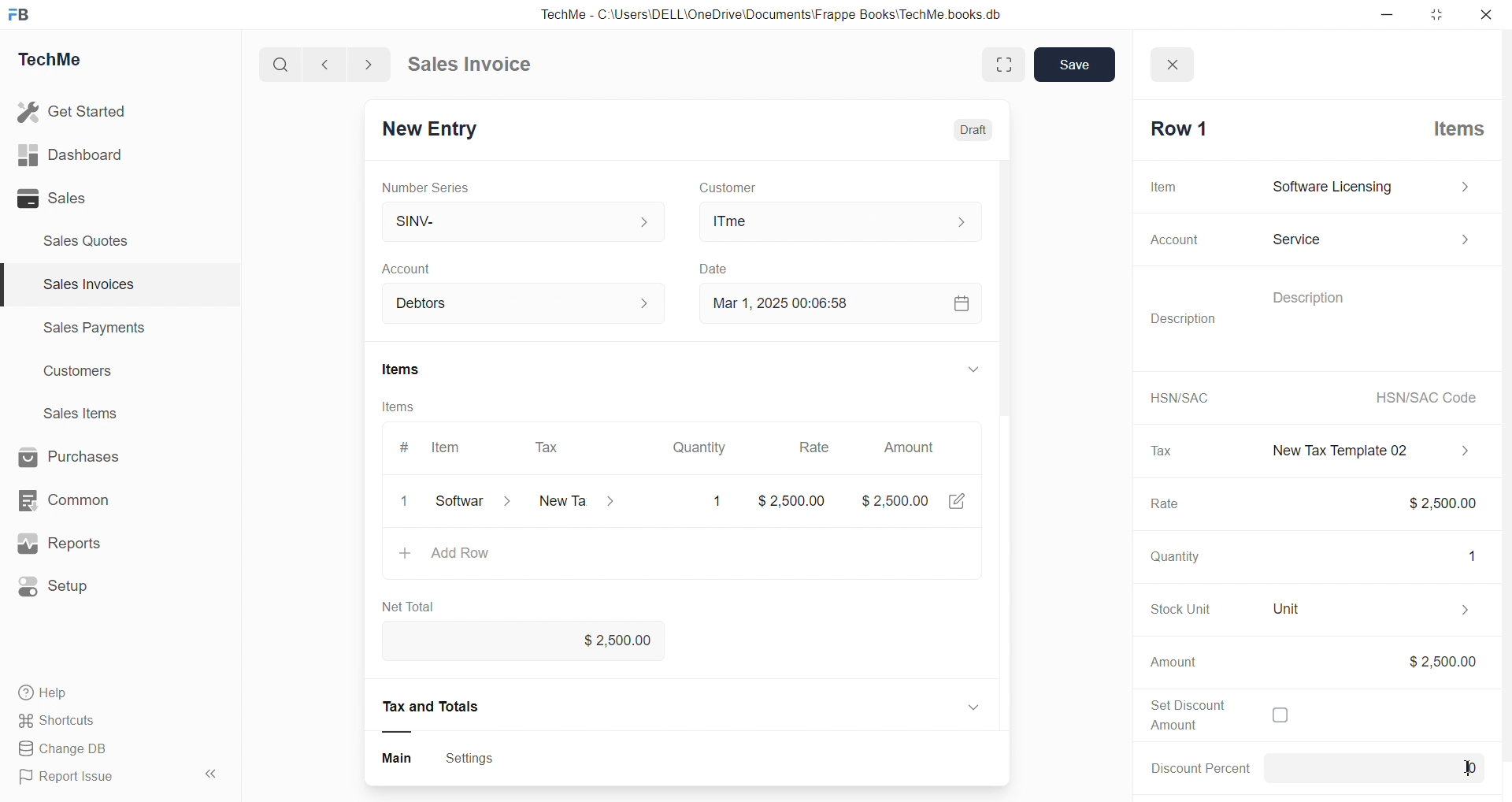 The image size is (1512, 802). Describe the element at coordinates (1176, 397) in the screenshot. I see `HSN/SAC` at that location.